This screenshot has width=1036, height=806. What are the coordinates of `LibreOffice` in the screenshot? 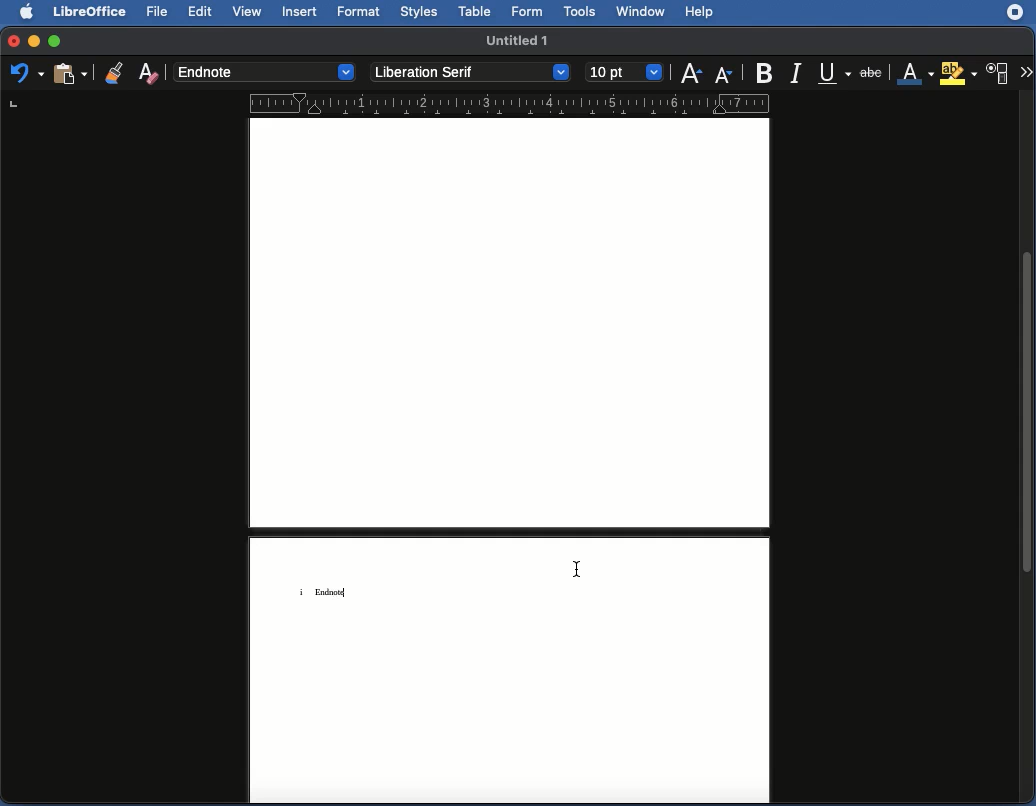 It's located at (91, 12).